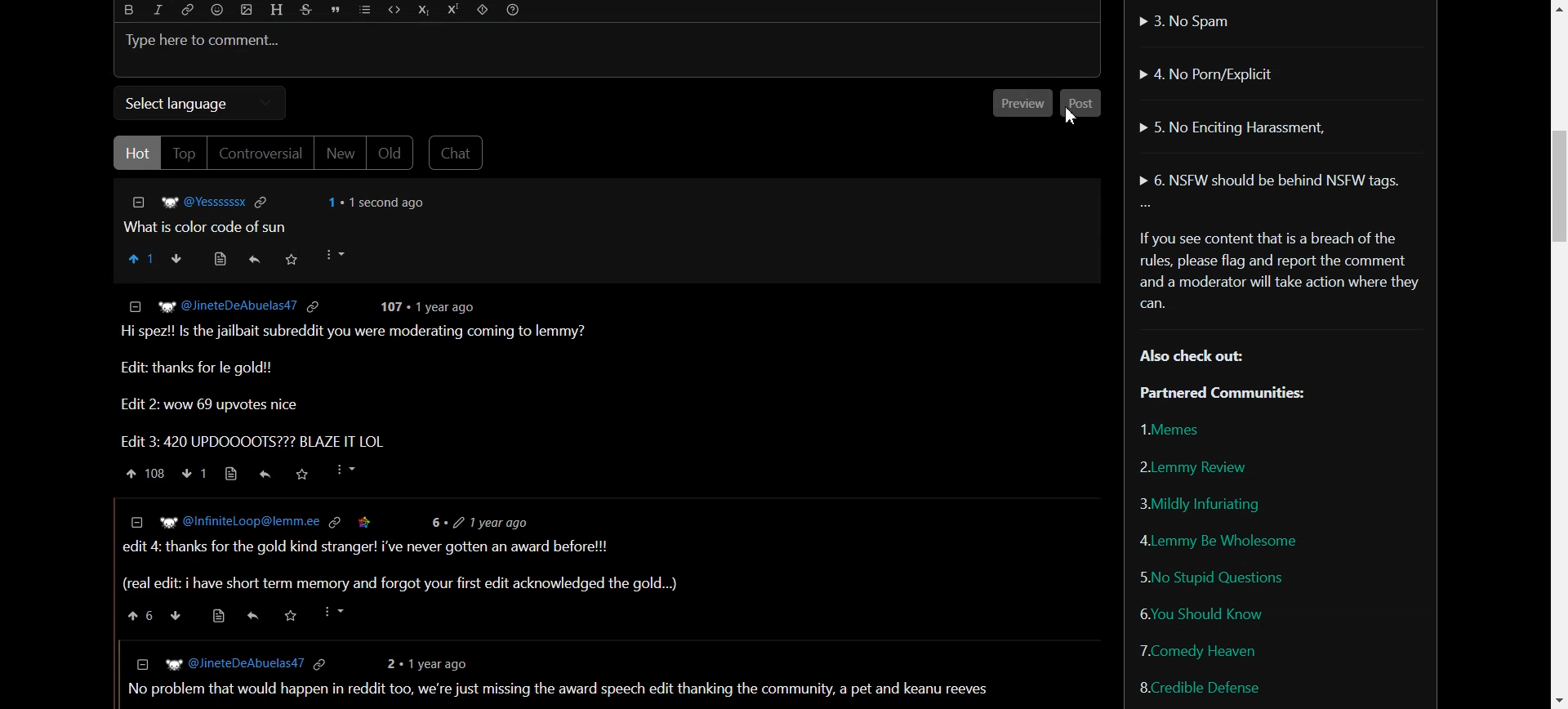 This screenshot has width=1568, height=709. Describe the element at coordinates (256, 258) in the screenshot. I see `Reply` at that location.